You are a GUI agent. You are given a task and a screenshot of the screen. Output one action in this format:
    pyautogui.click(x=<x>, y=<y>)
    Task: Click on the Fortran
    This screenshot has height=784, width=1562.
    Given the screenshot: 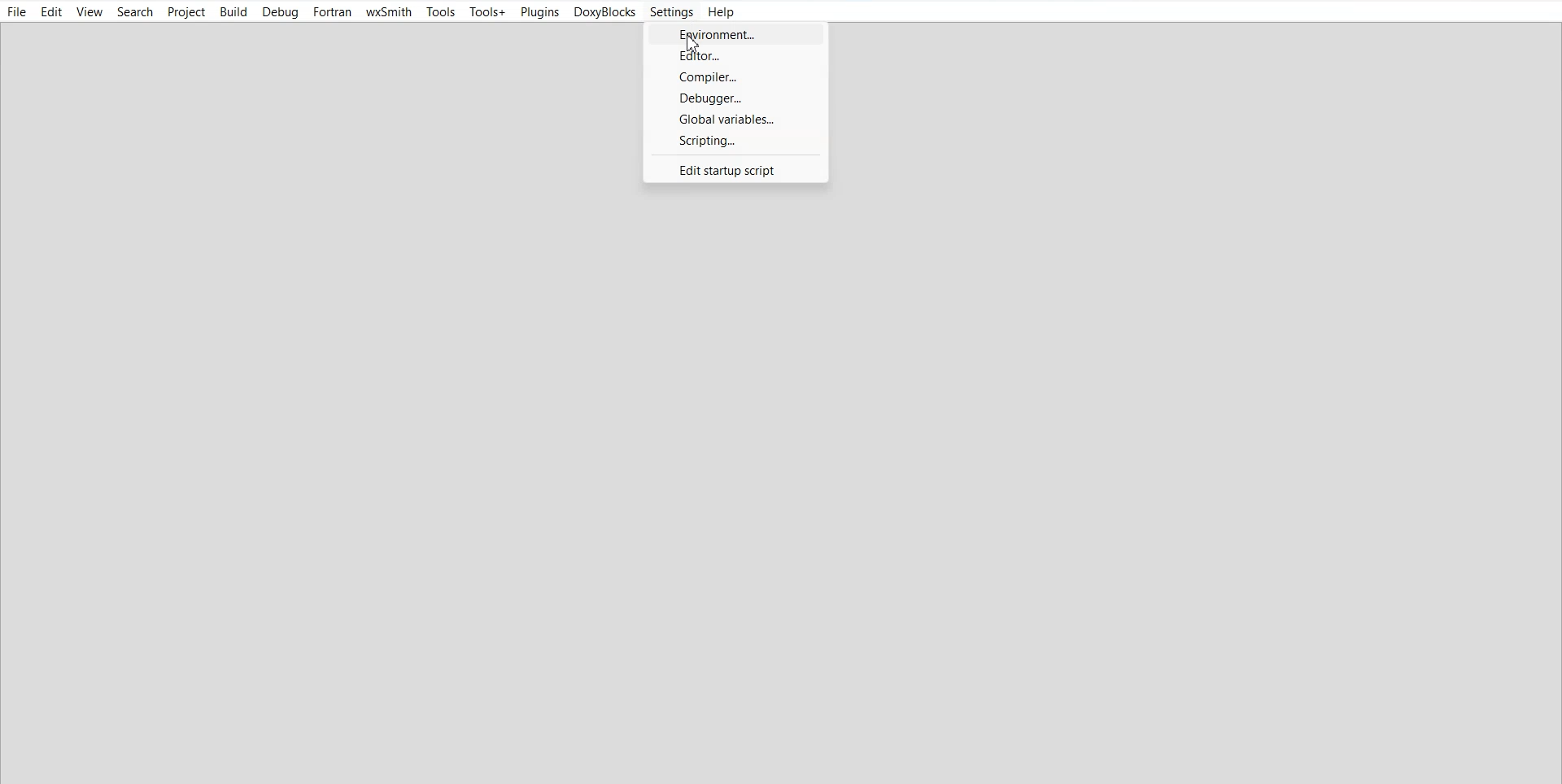 What is the action you would take?
    pyautogui.click(x=332, y=12)
    